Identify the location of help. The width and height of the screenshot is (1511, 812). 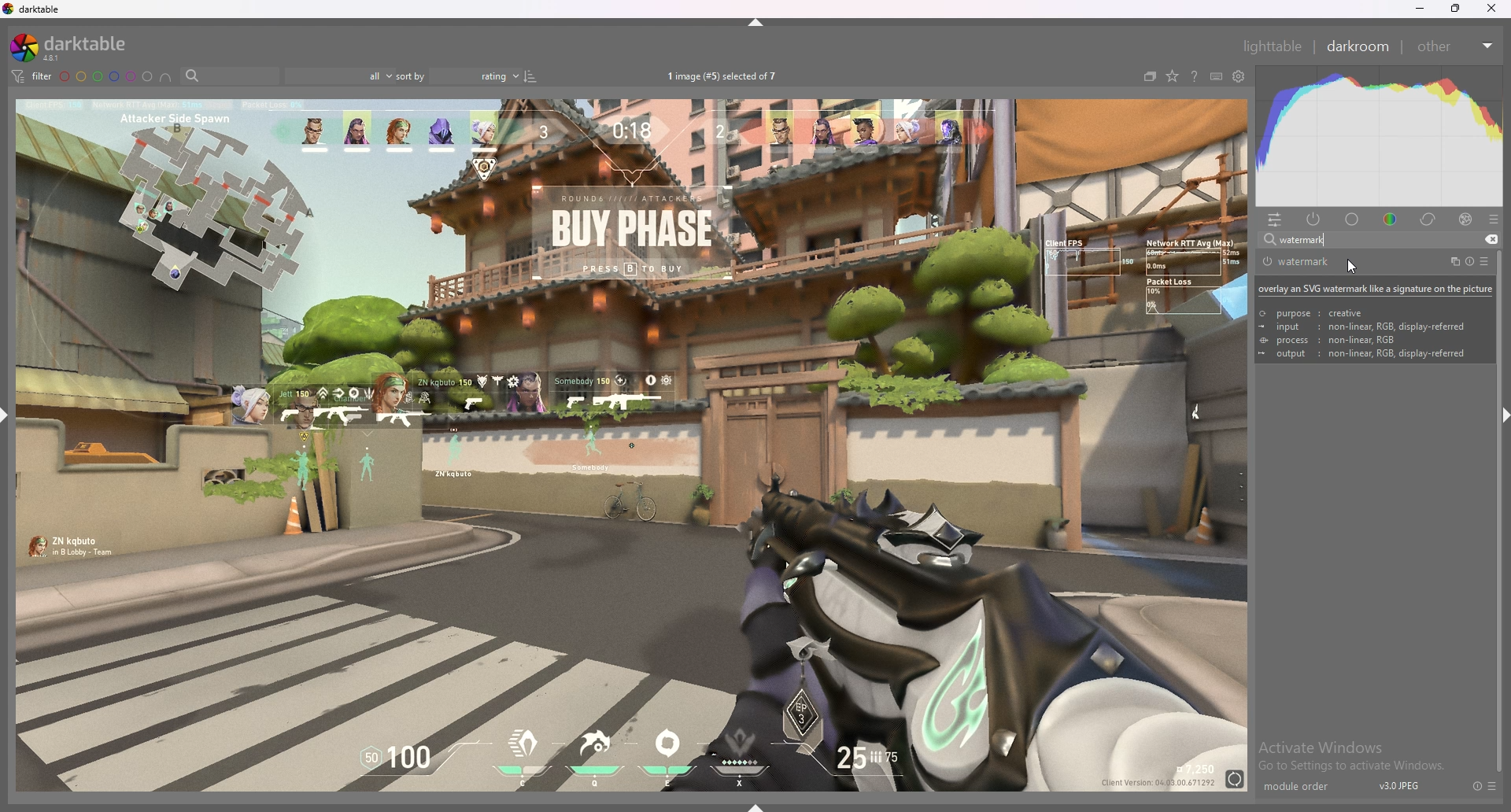
(1194, 78).